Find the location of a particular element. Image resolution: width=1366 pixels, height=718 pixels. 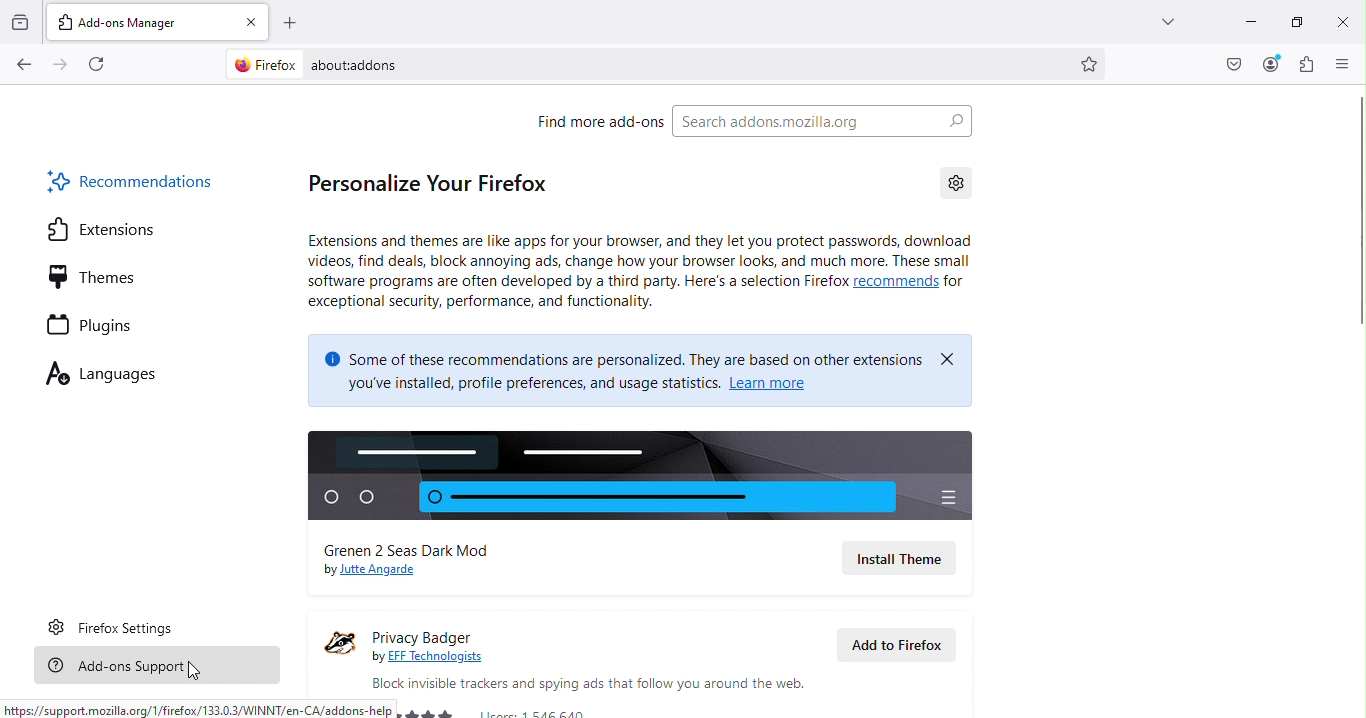

Information is located at coordinates (644, 277).